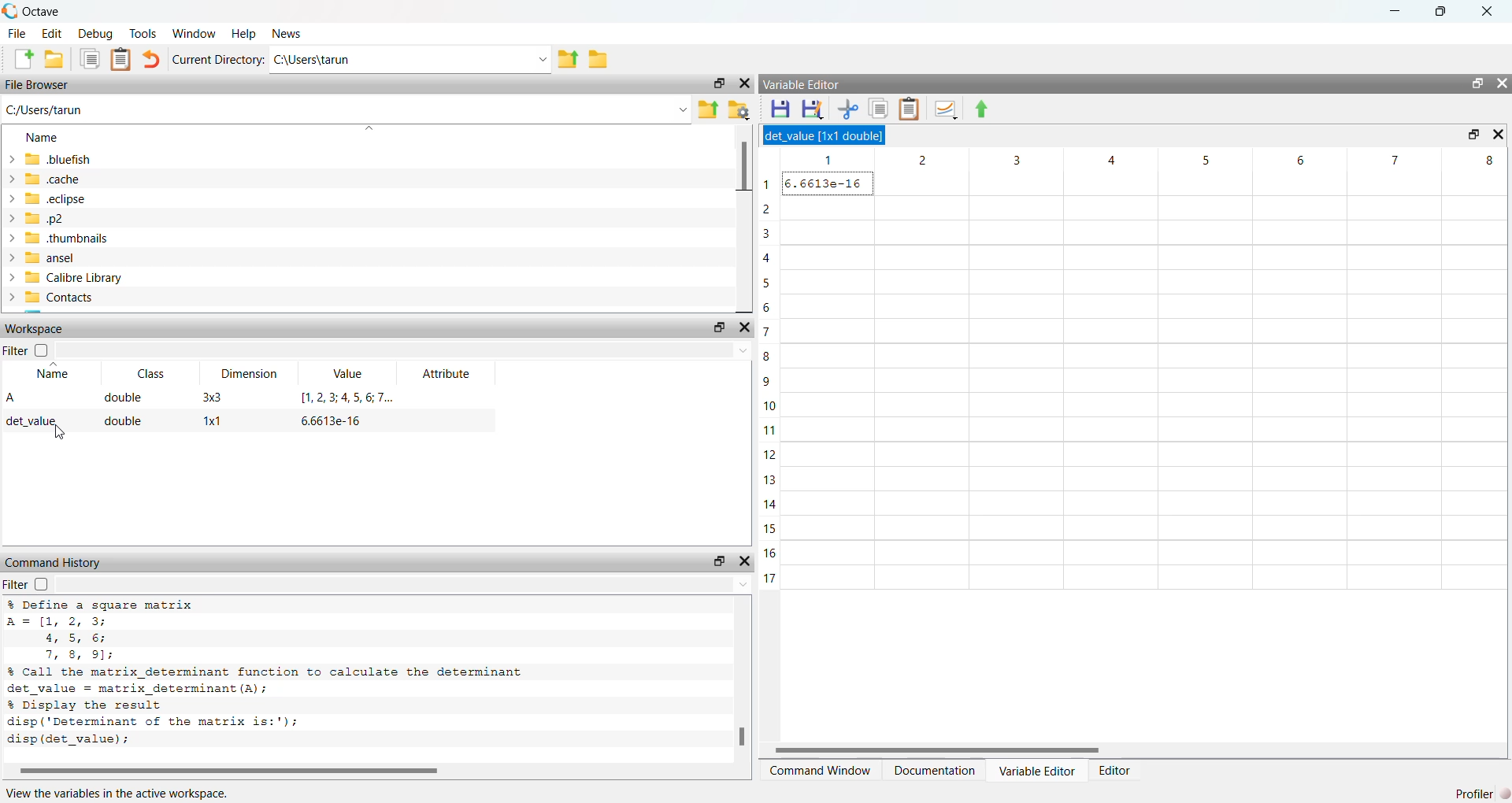 This screenshot has height=803, width=1512. Describe the element at coordinates (244, 32) in the screenshot. I see `help` at that location.